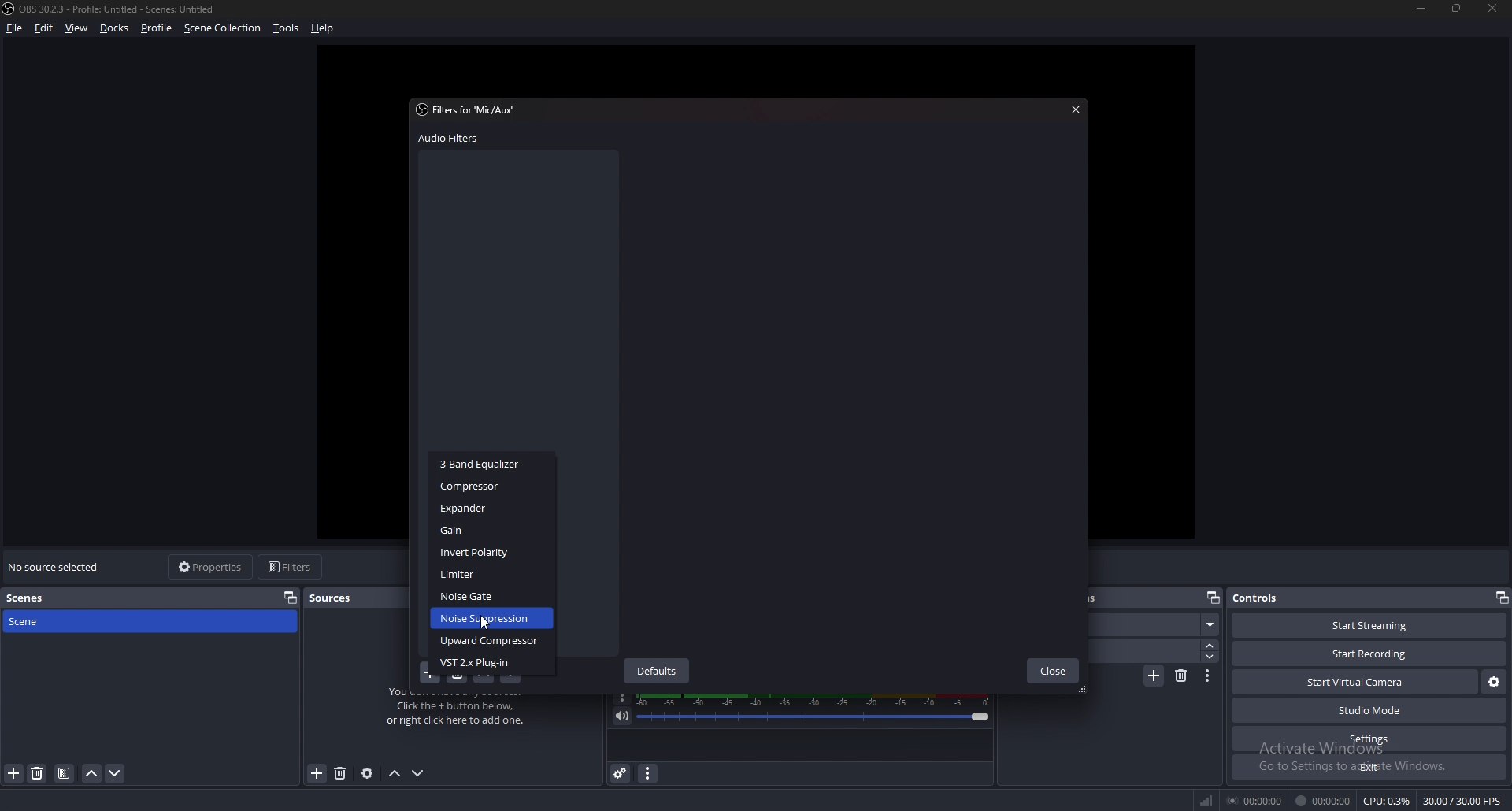 This screenshot has width=1512, height=811. Describe the element at coordinates (14, 28) in the screenshot. I see `file` at that location.